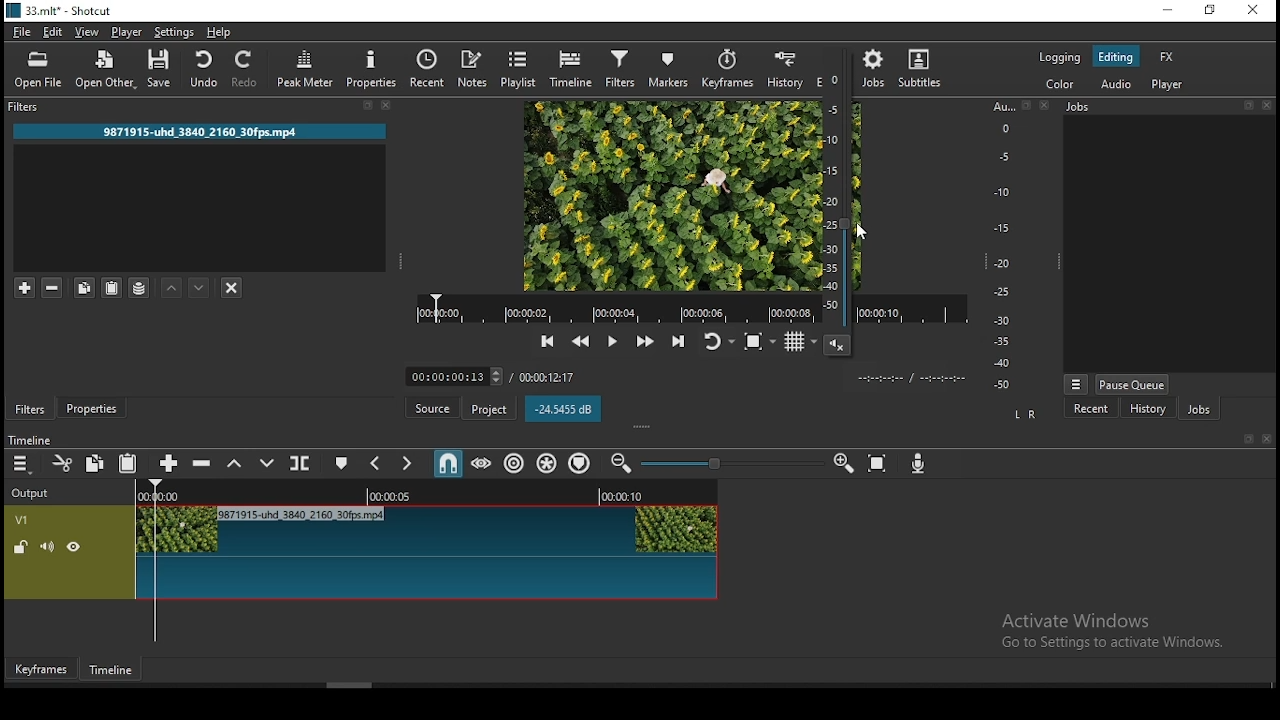  I want to click on jobs, so click(1203, 409).